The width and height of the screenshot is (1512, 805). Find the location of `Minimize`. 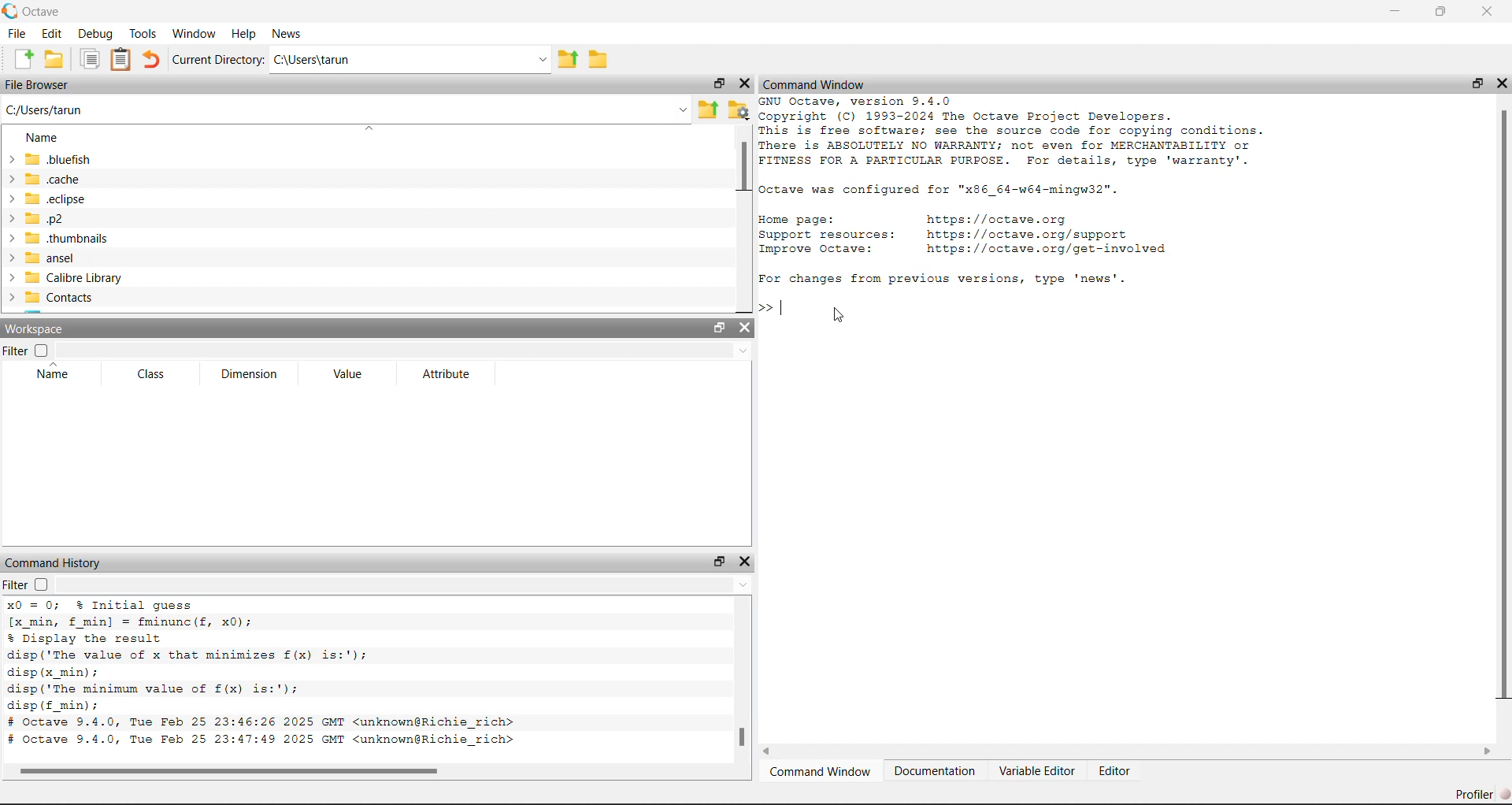

Minimize is located at coordinates (1393, 12).